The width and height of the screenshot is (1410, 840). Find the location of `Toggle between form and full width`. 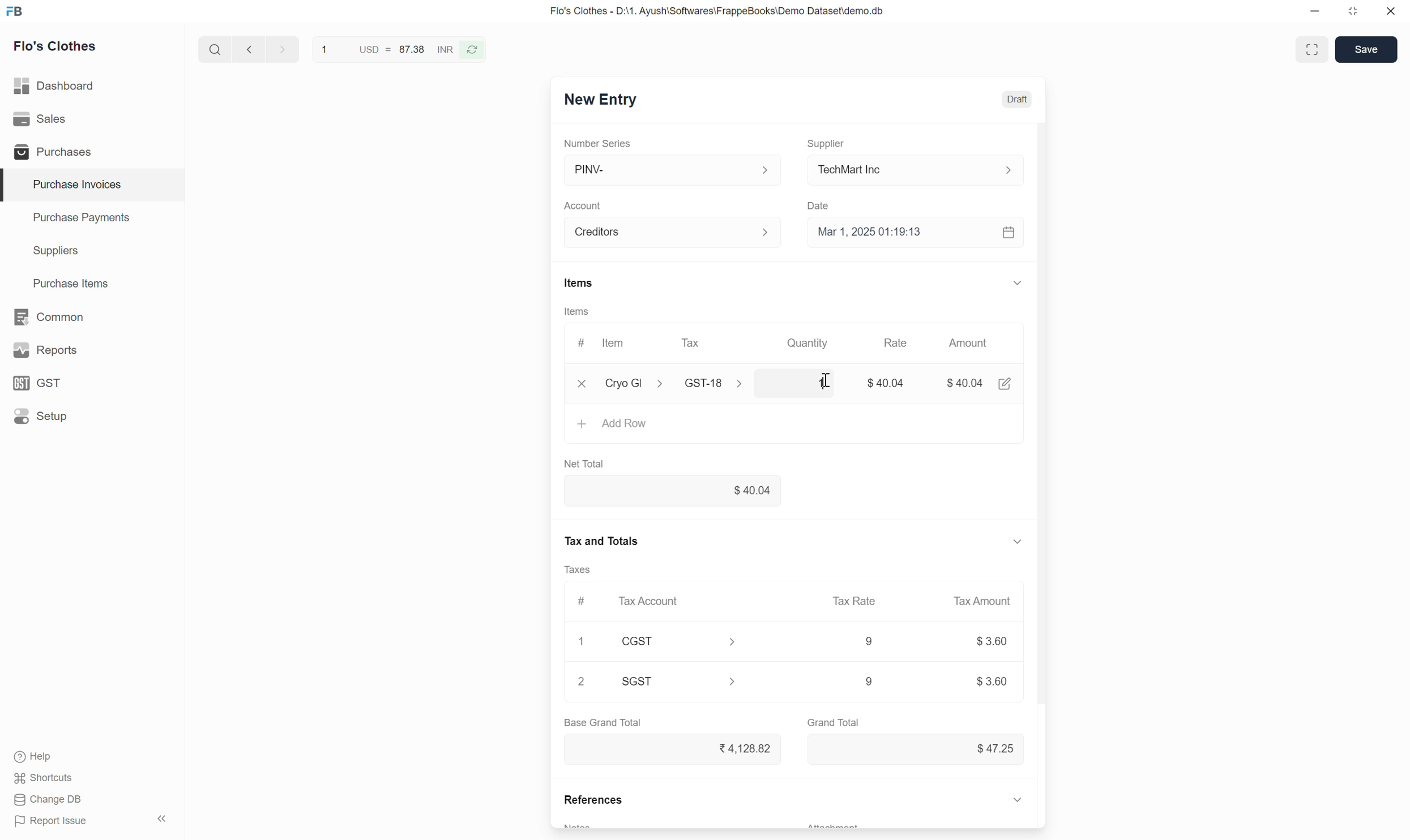

Toggle between form and full width is located at coordinates (1311, 49).